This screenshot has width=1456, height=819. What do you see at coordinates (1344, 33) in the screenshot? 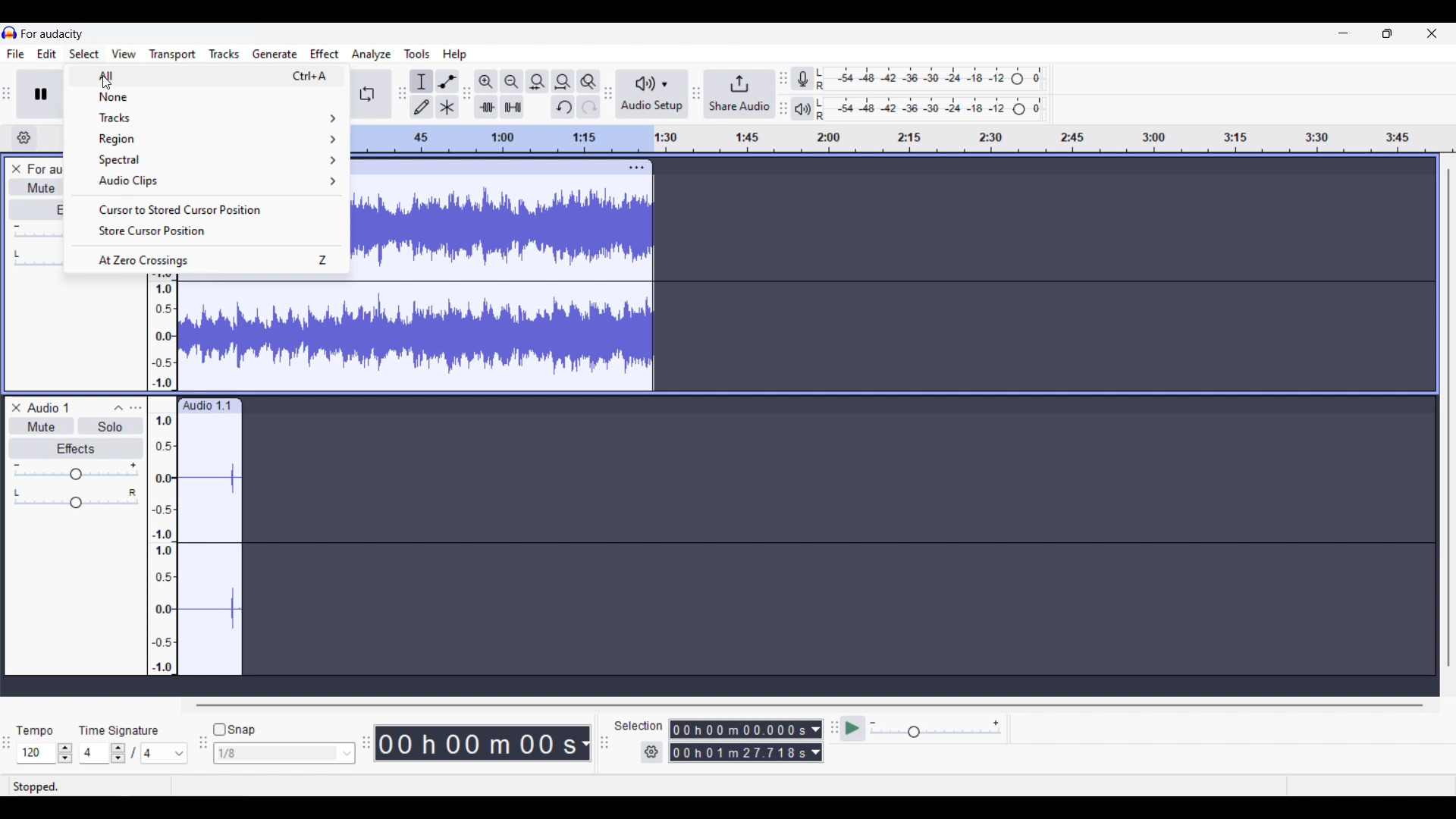
I see `Minimize ` at bounding box center [1344, 33].